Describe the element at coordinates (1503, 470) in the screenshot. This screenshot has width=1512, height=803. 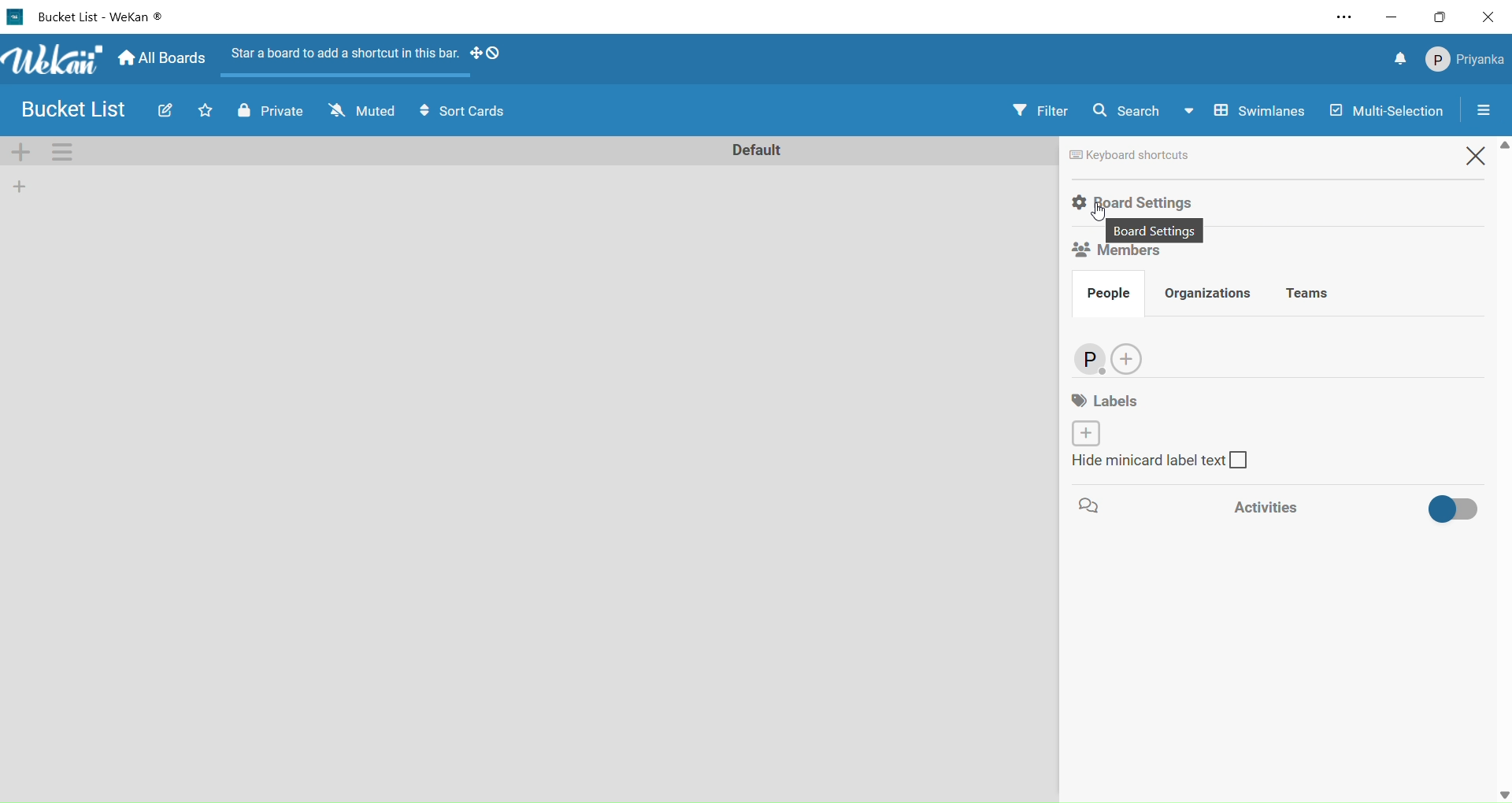
I see `vertical scroll bar` at that location.